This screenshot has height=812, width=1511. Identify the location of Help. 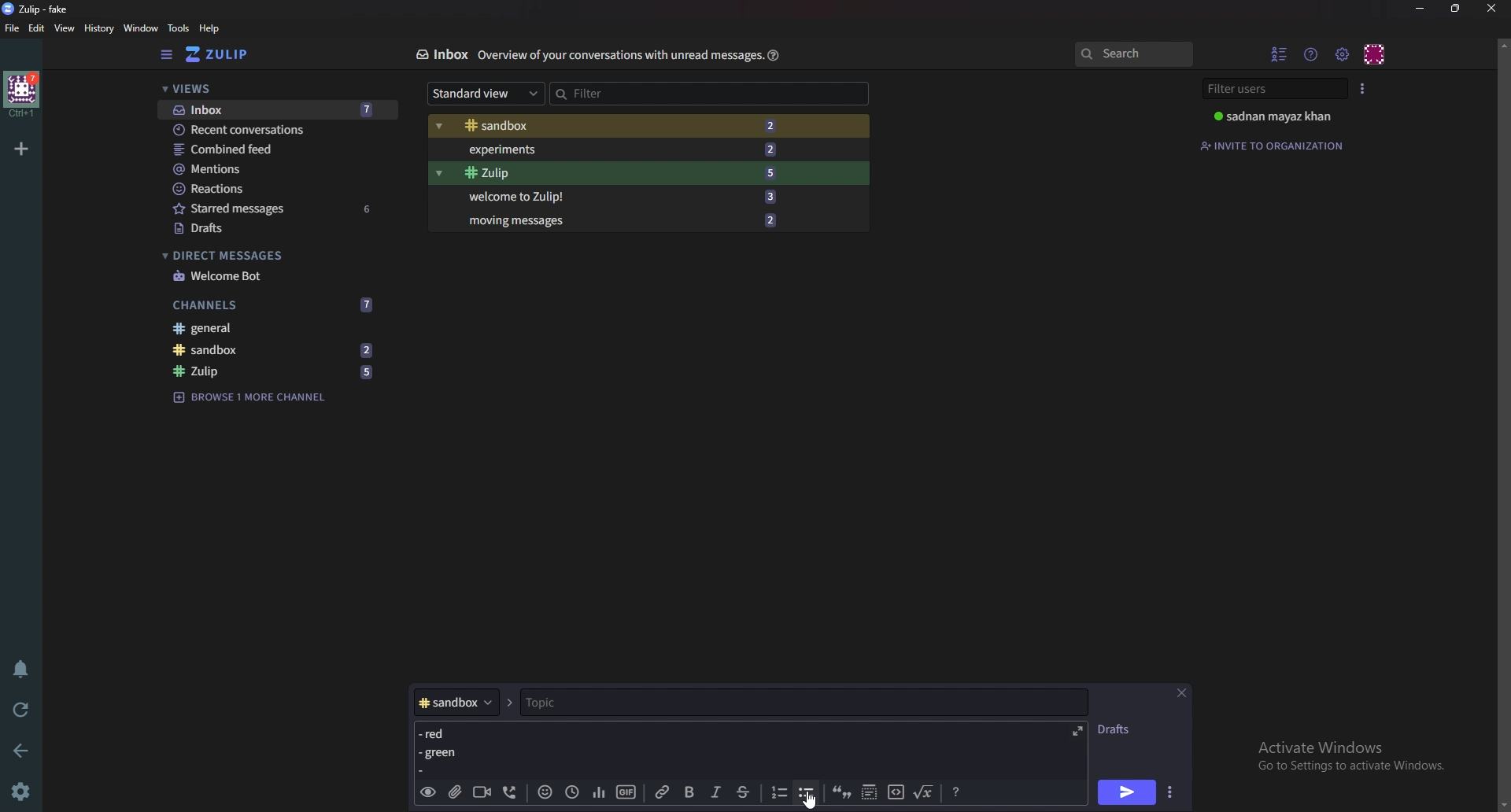
(774, 54).